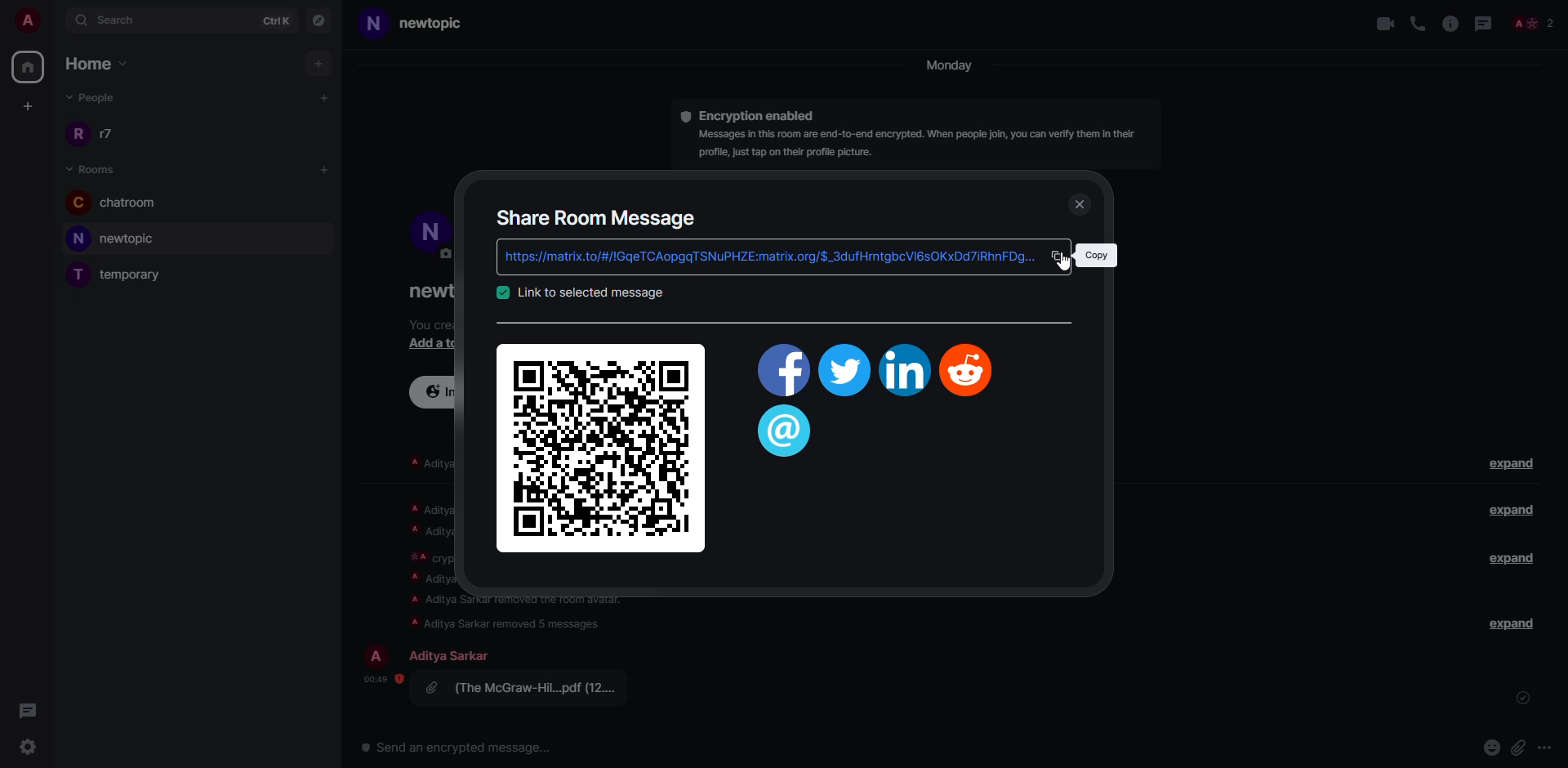 The image size is (1568, 768). I want to click on new topic, so click(121, 238).